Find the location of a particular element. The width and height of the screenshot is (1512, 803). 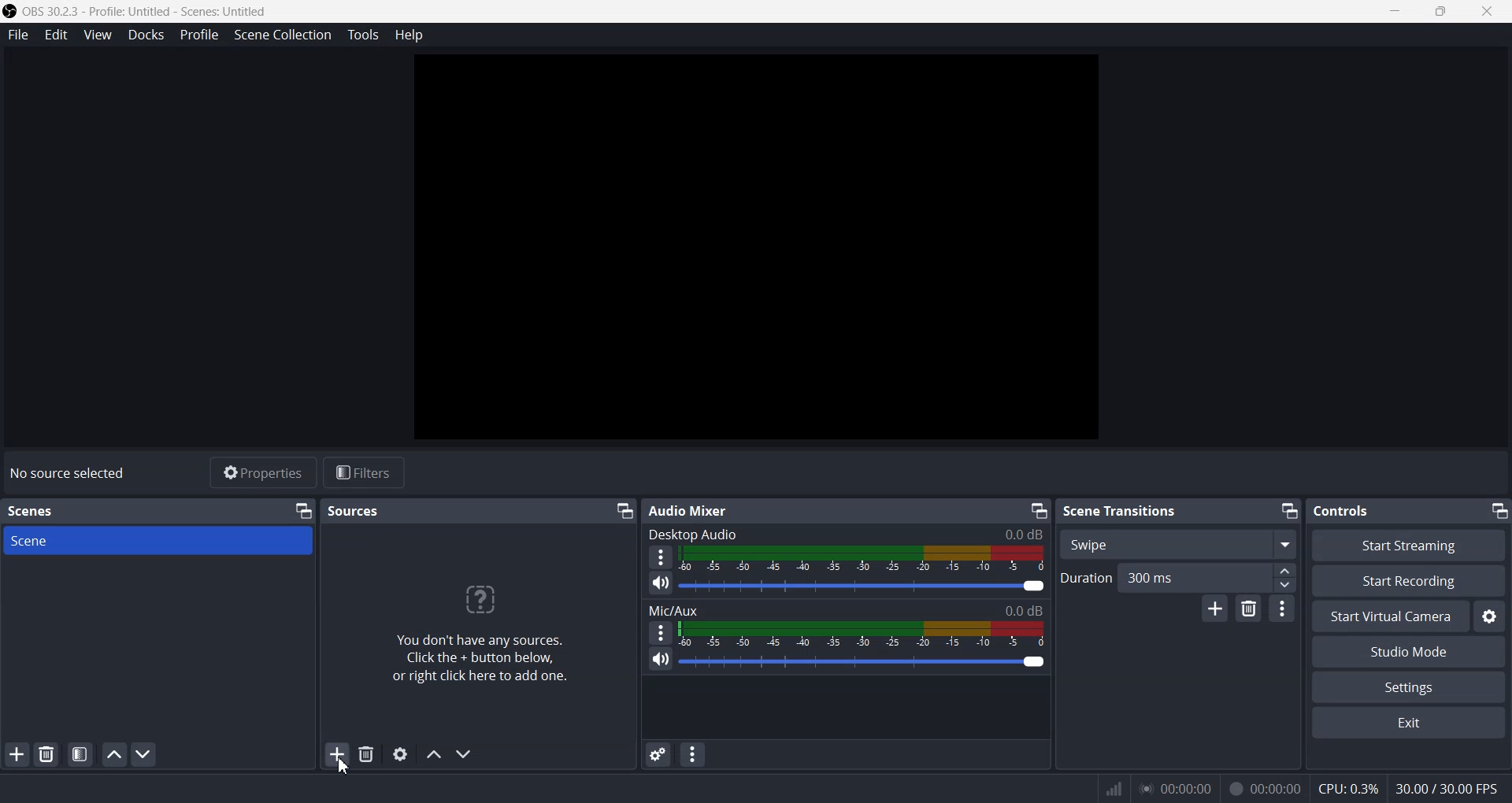

Text is located at coordinates (68, 473).